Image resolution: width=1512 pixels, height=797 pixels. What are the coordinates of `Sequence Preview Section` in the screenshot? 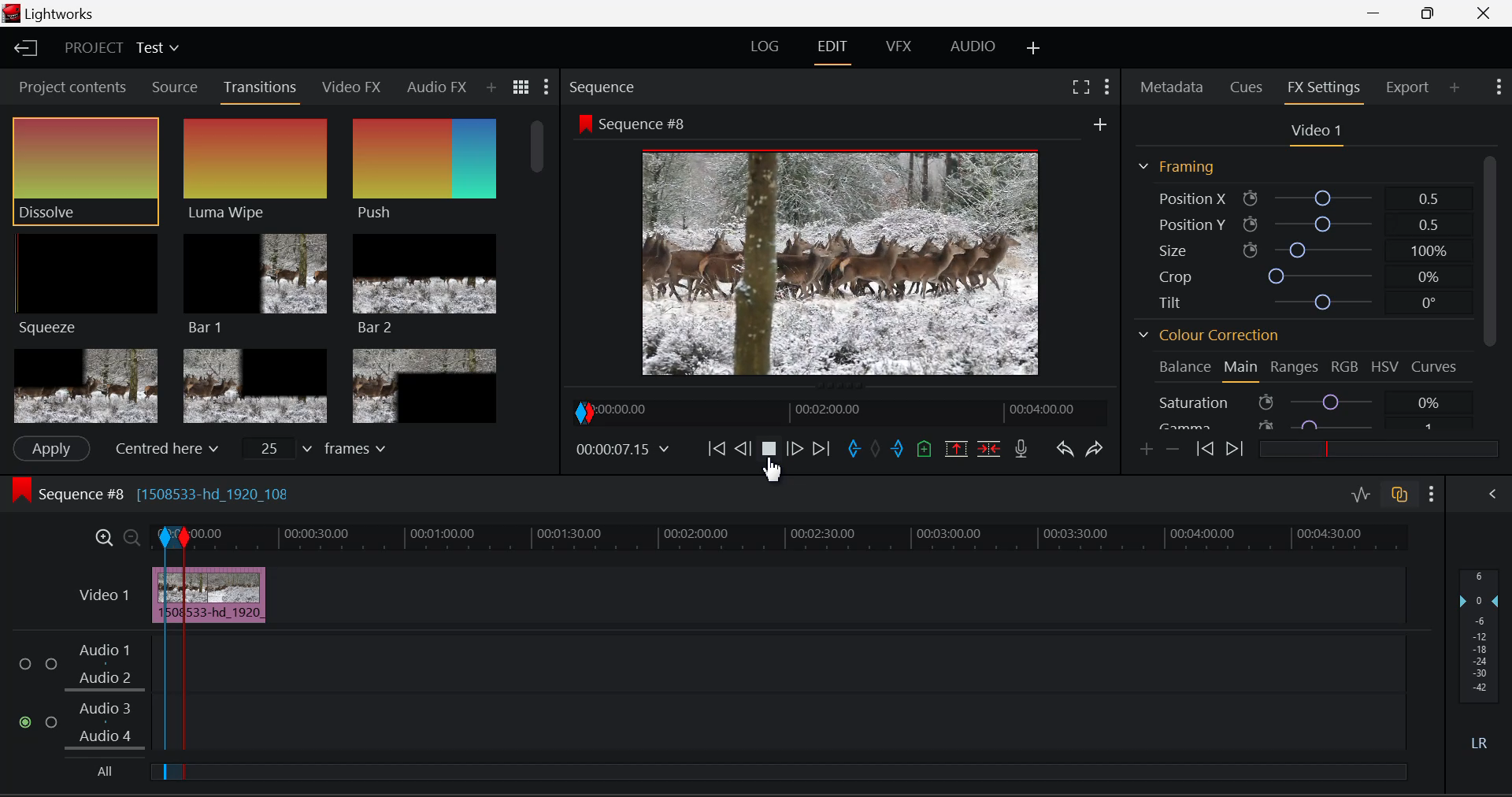 It's located at (605, 87).